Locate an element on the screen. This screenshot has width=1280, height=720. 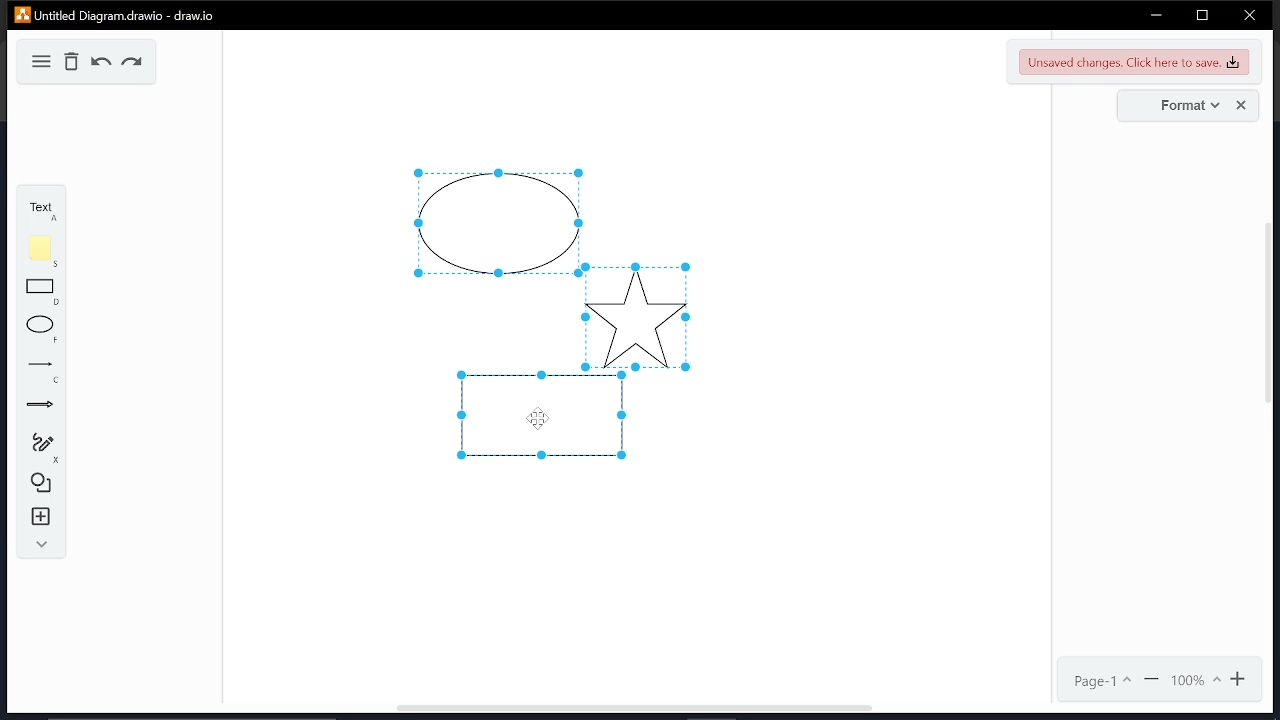
text is located at coordinates (38, 209).